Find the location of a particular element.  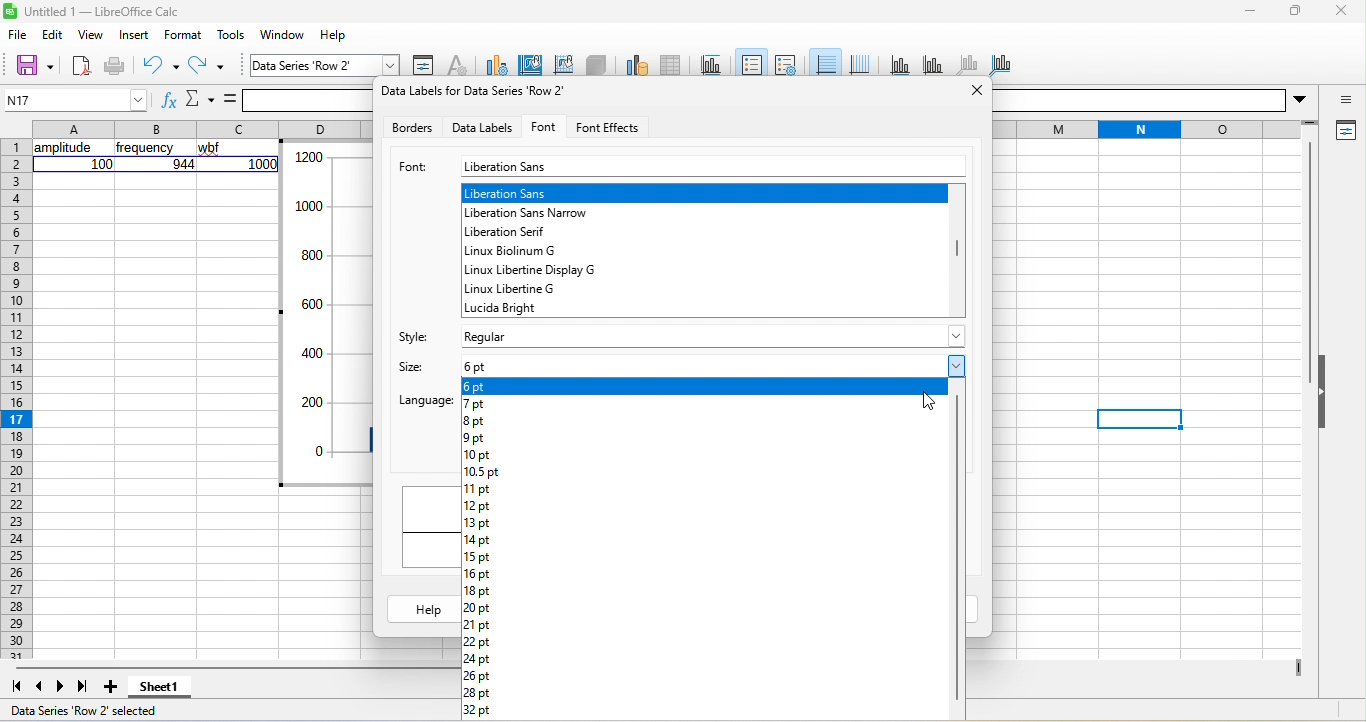

wbf is located at coordinates (214, 149).